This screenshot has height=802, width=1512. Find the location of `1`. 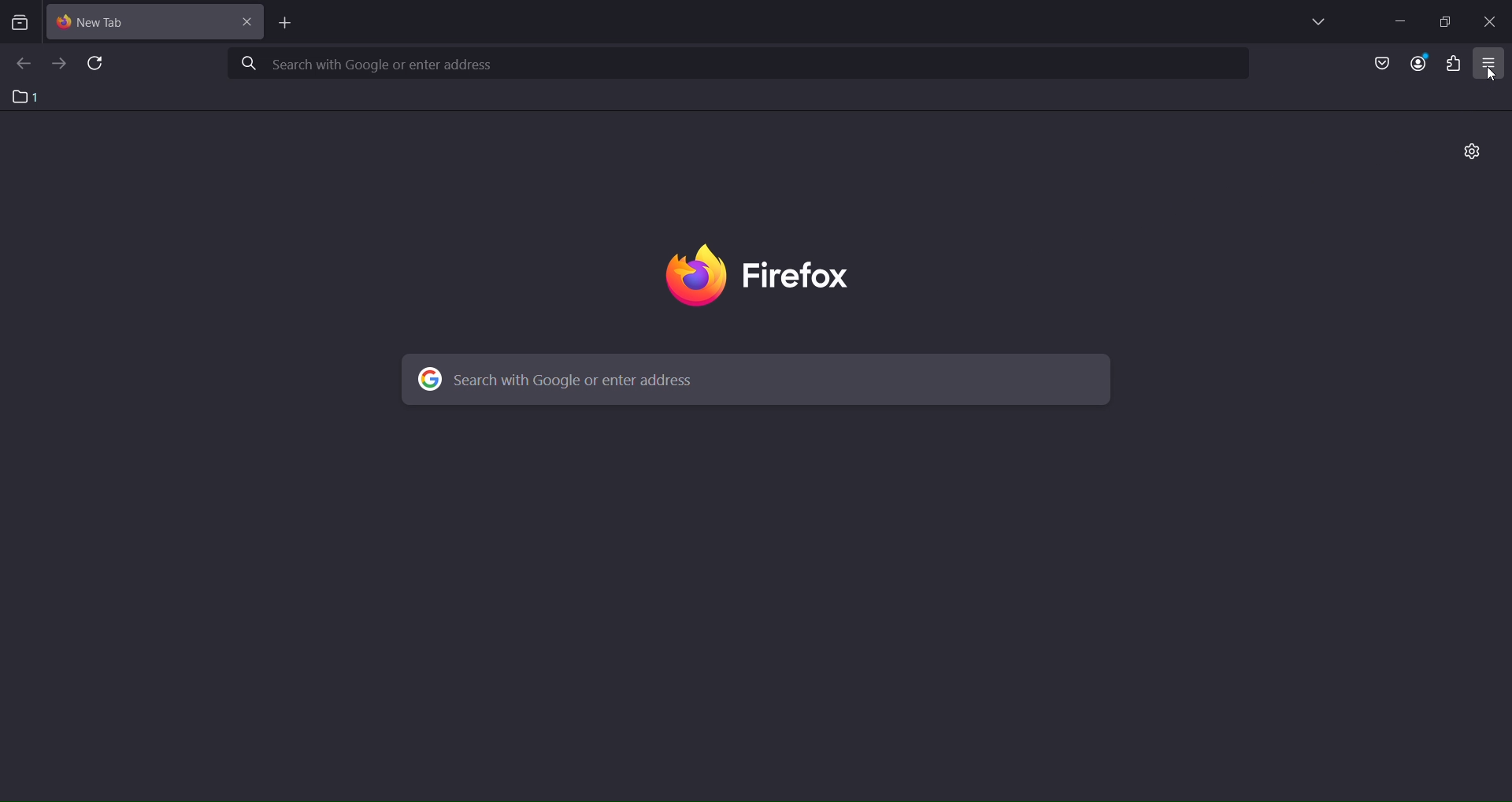

1 is located at coordinates (31, 97).